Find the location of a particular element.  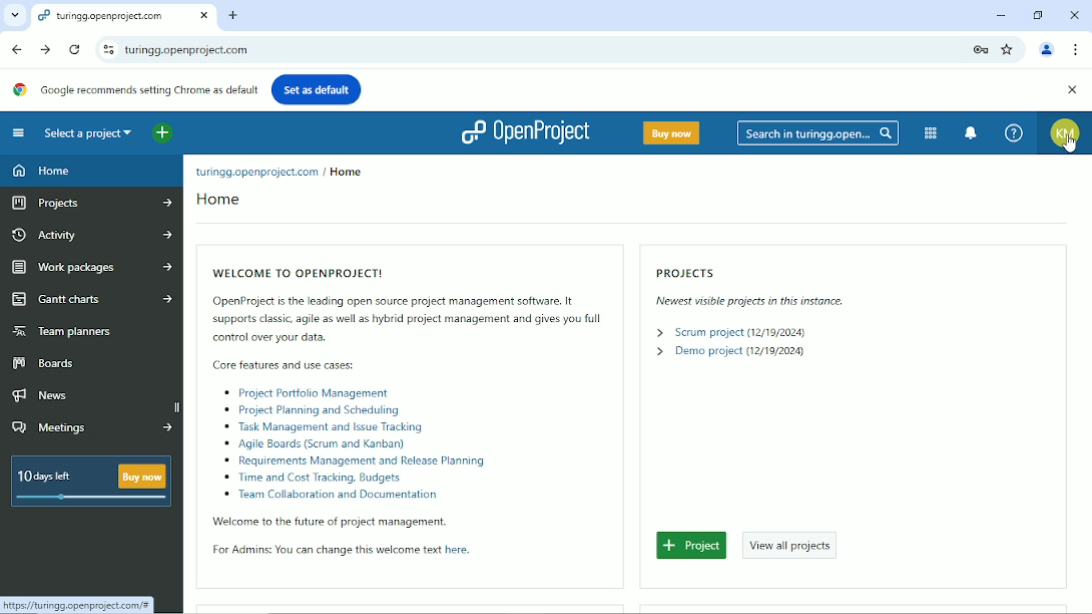

View site information is located at coordinates (105, 49).